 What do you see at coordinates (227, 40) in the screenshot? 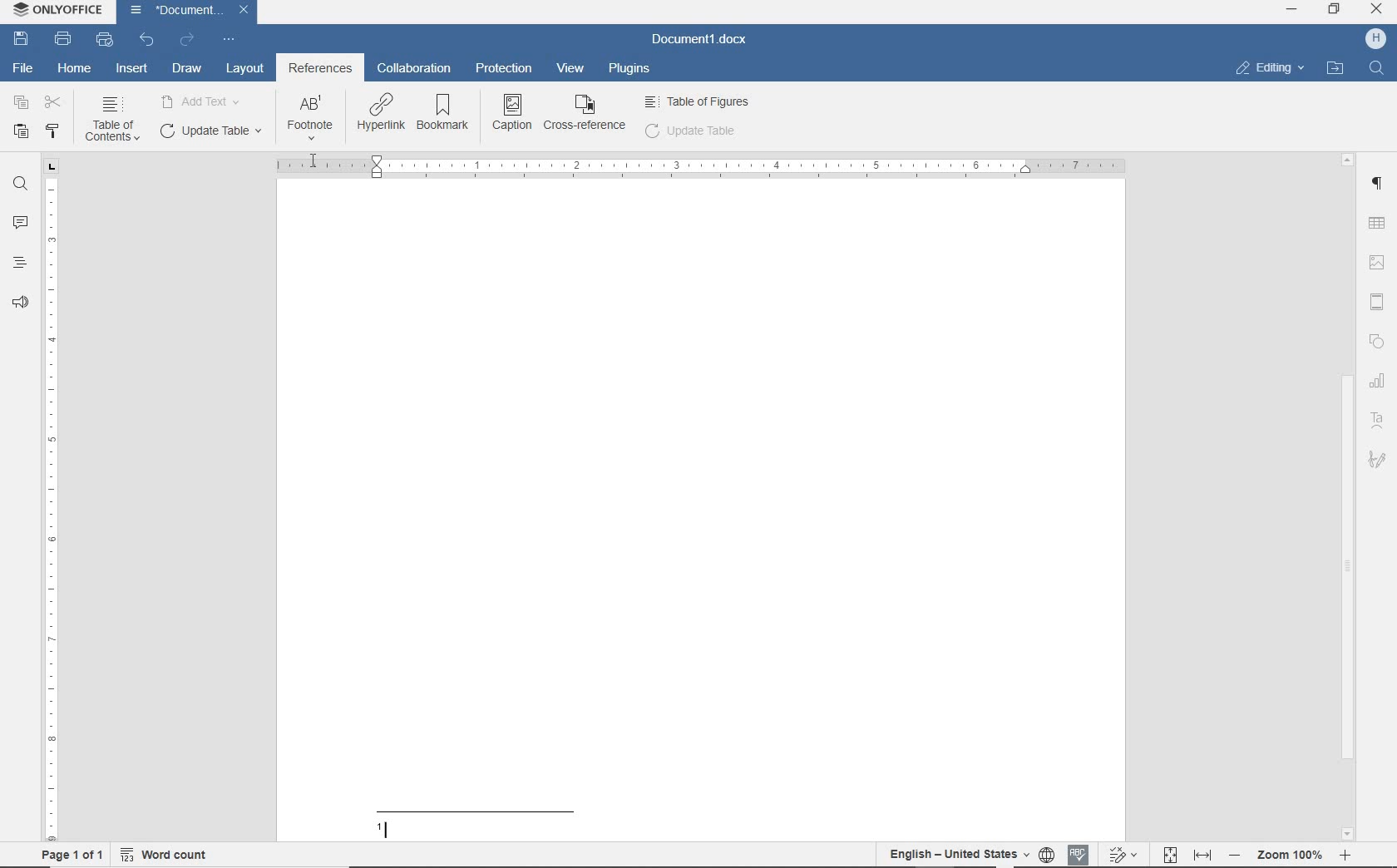
I see `customize quick access toolbar` at bounding box center [227, 40].